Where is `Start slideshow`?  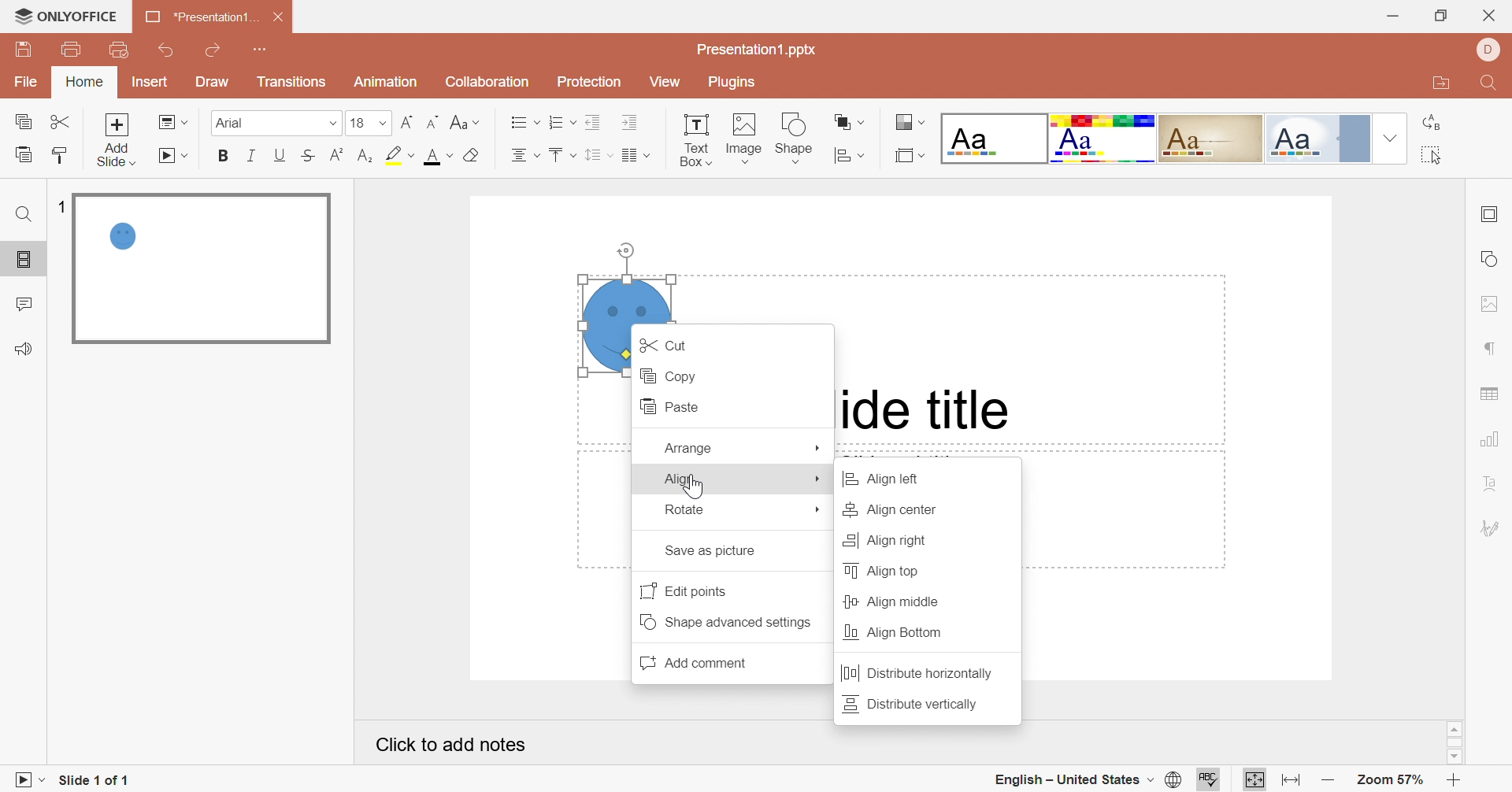
Start slideshow is located at coordinates (176, 157).